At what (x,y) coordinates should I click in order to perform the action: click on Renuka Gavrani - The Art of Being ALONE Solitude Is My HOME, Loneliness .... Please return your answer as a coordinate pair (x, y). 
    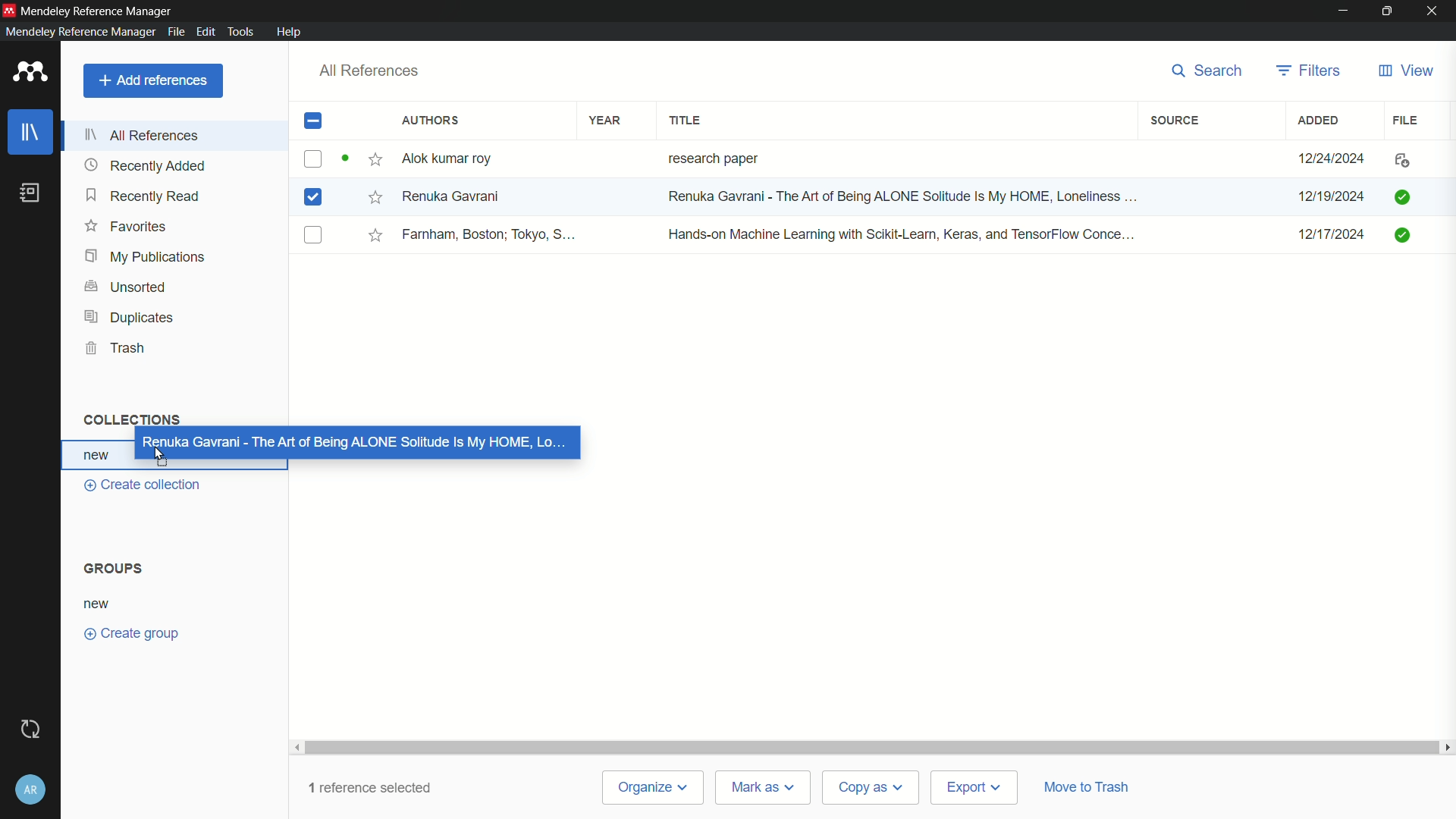
    Looking at the image, I should click on (913, 196).